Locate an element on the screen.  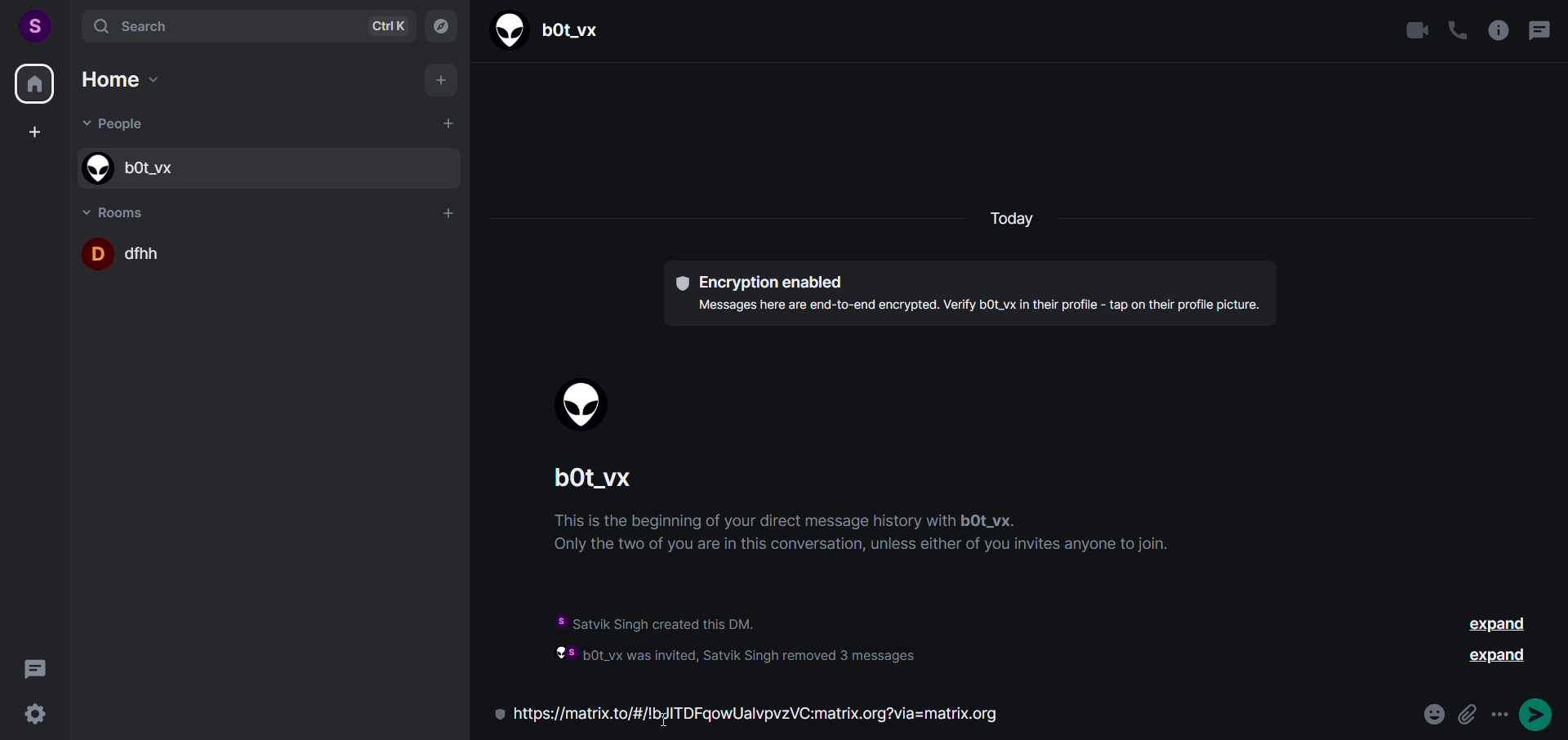
options is located at coordinates (1502, 715).